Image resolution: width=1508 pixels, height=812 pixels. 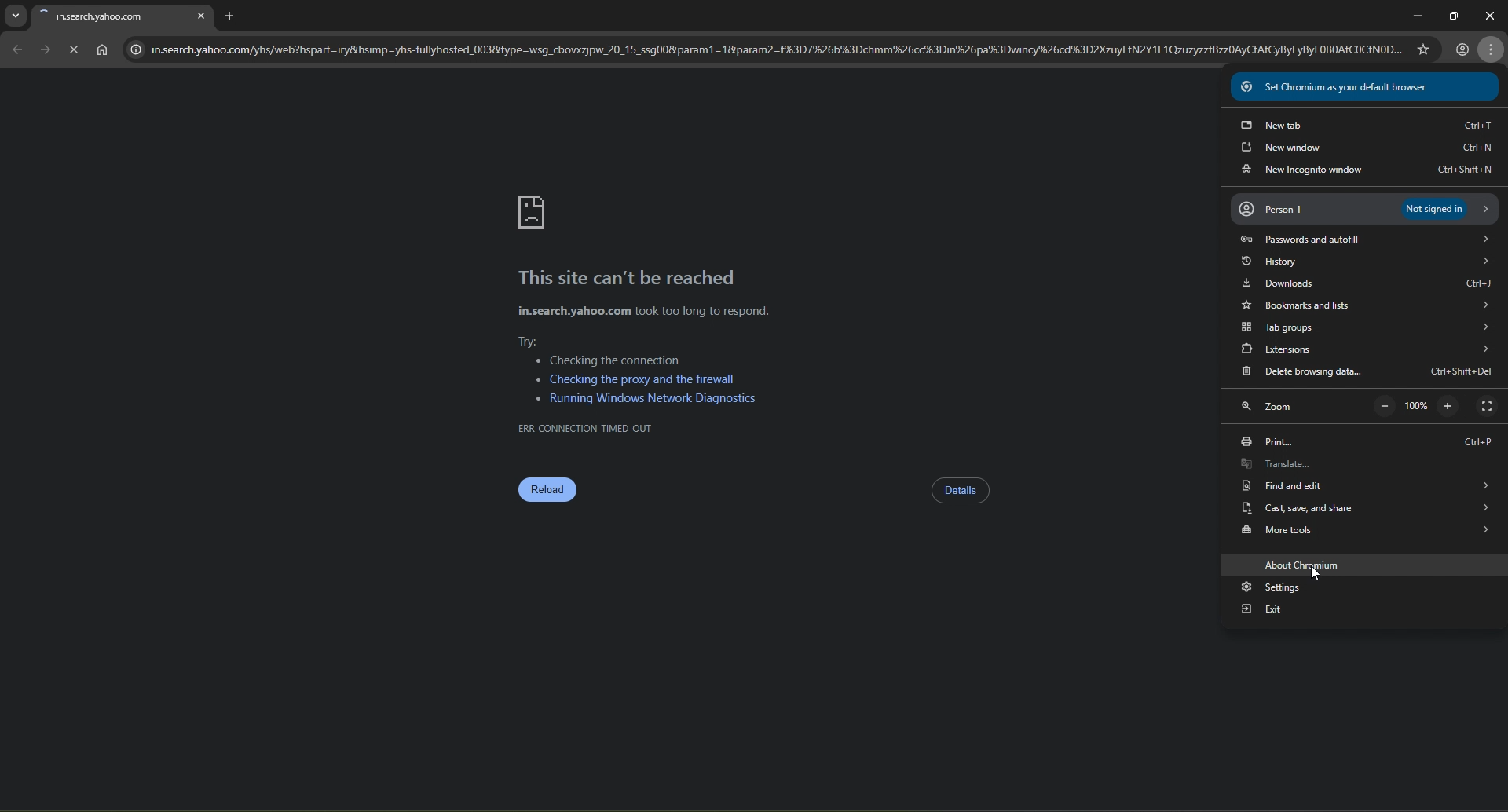 I want to click on new tab, so click(x=1363, y=124).